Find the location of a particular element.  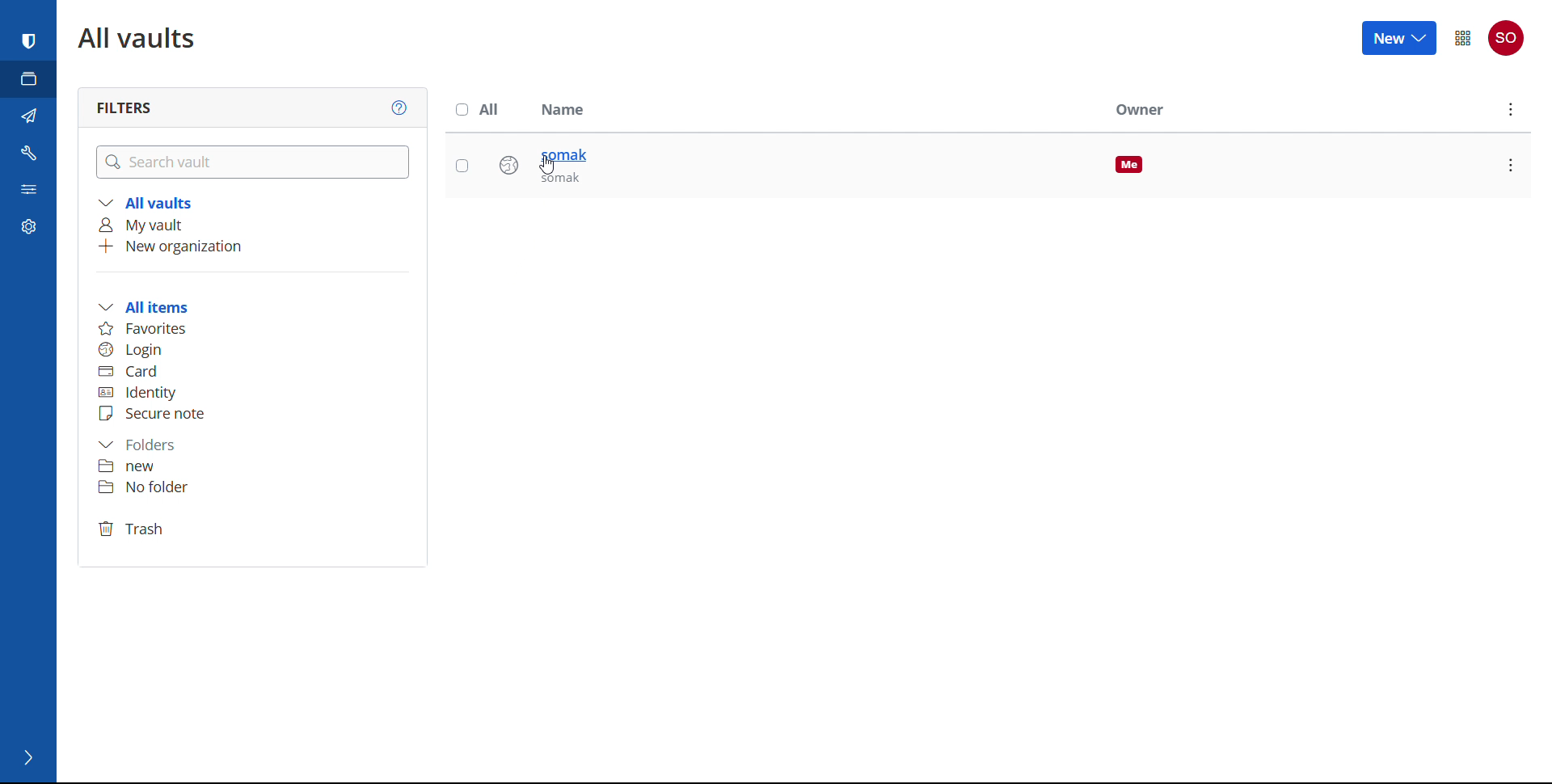

all vaults is located at coordinates (251, 203).